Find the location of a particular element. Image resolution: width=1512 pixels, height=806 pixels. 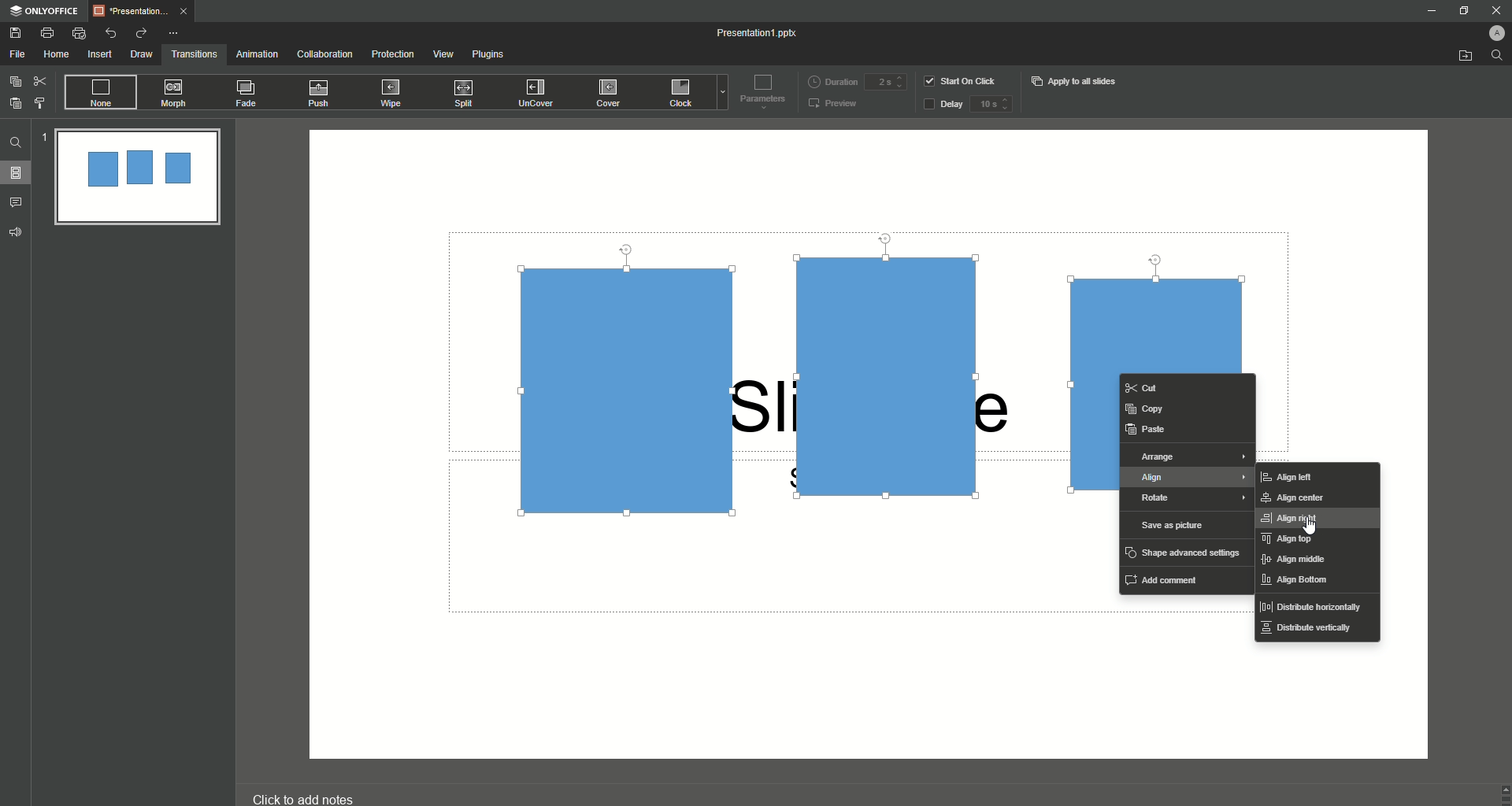

Animation is located at coordinates (256, 54).